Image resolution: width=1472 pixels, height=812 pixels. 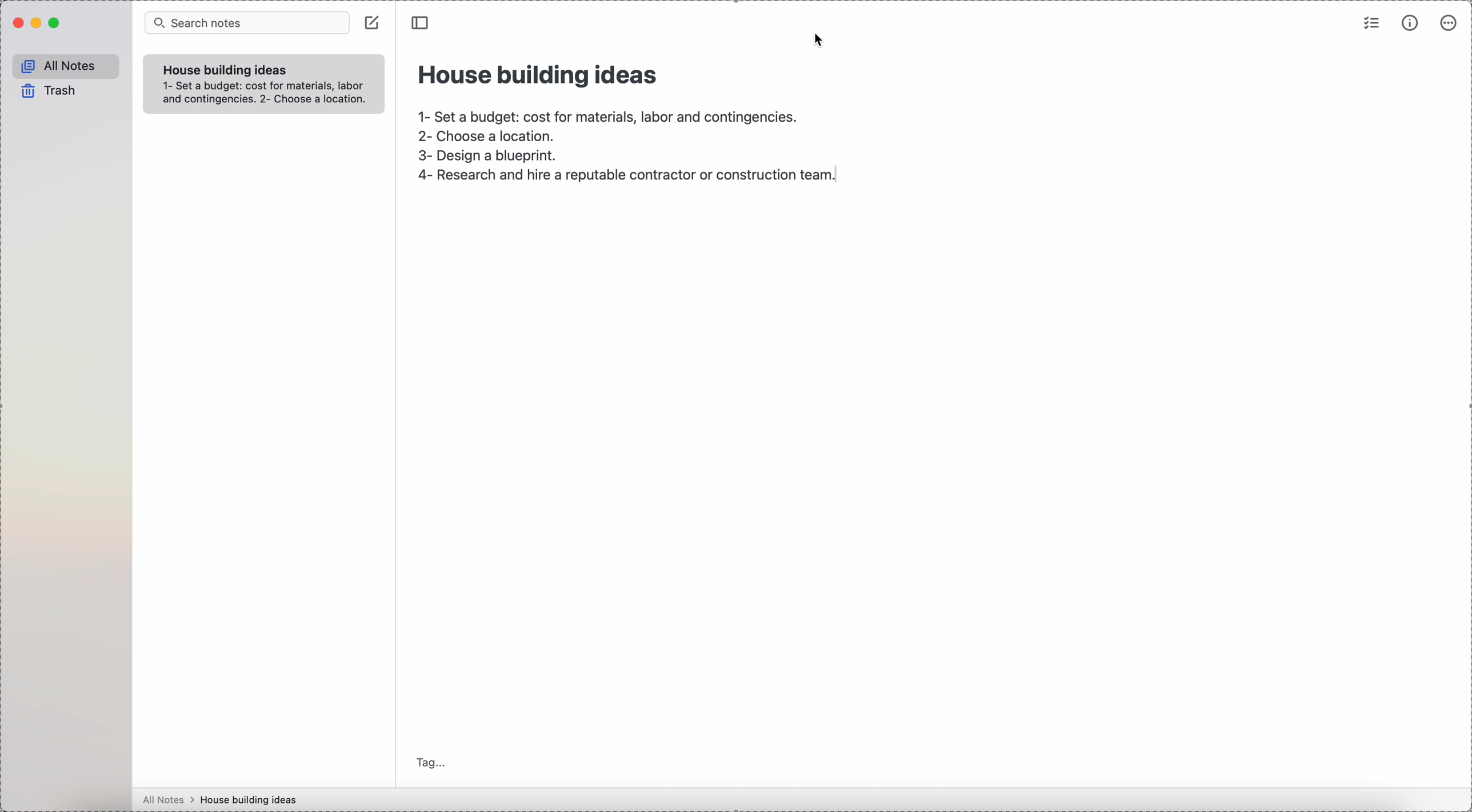 I want to click on close Simplenote, so click(x=18, y=23).